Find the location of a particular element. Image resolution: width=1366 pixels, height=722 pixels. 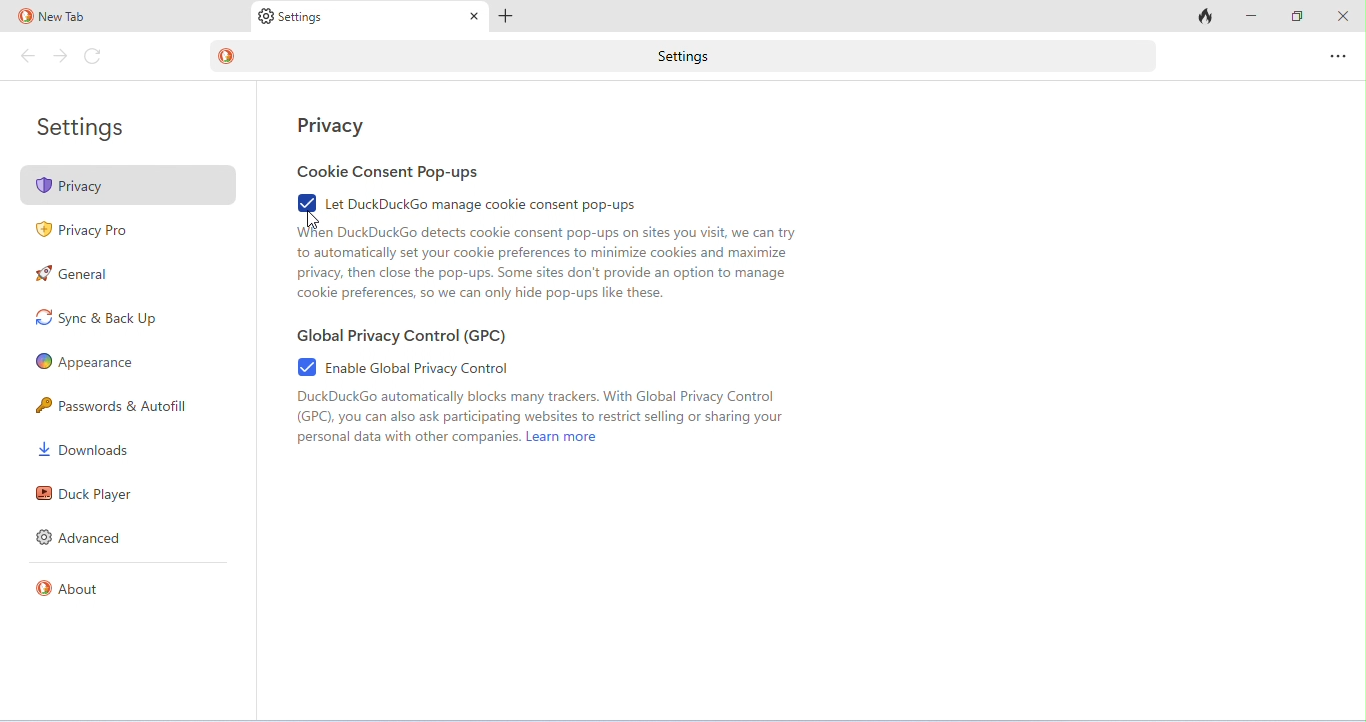

go forward is located at coordinates (60, 56).